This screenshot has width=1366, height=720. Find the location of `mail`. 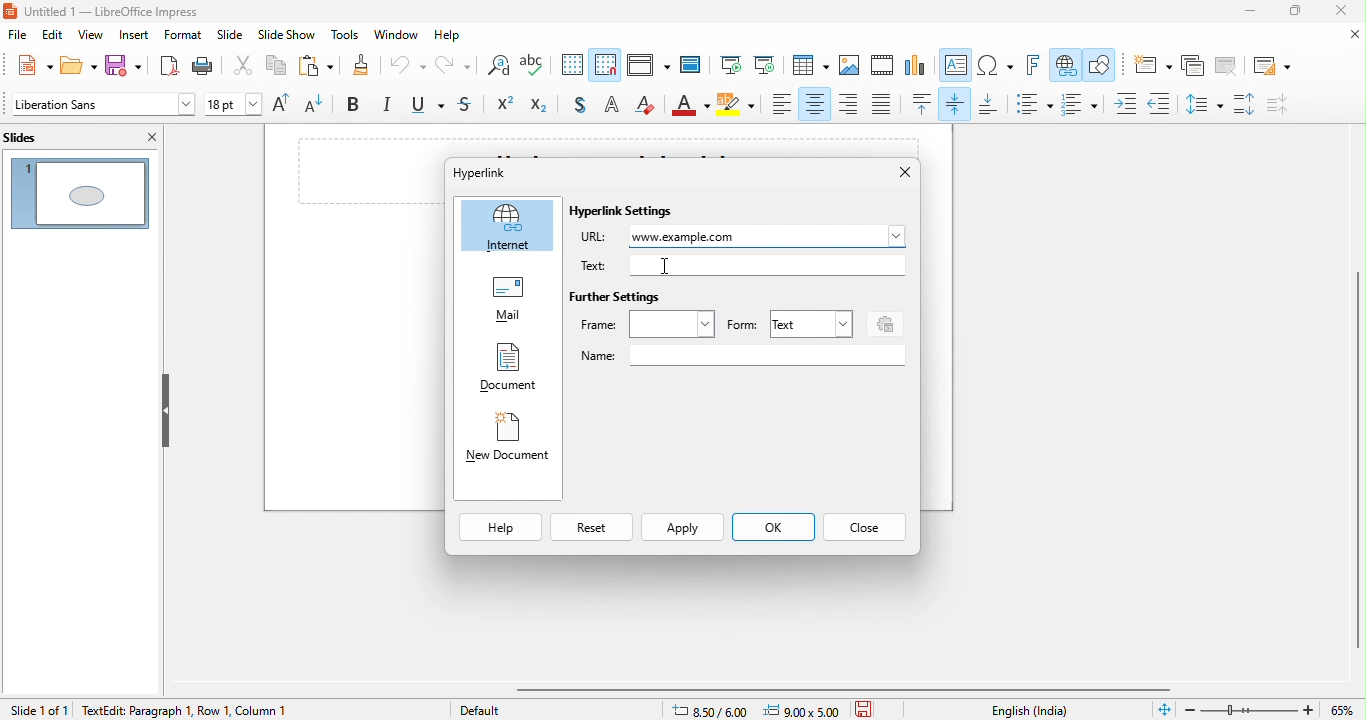

mail is located at coordinates (508, 302).